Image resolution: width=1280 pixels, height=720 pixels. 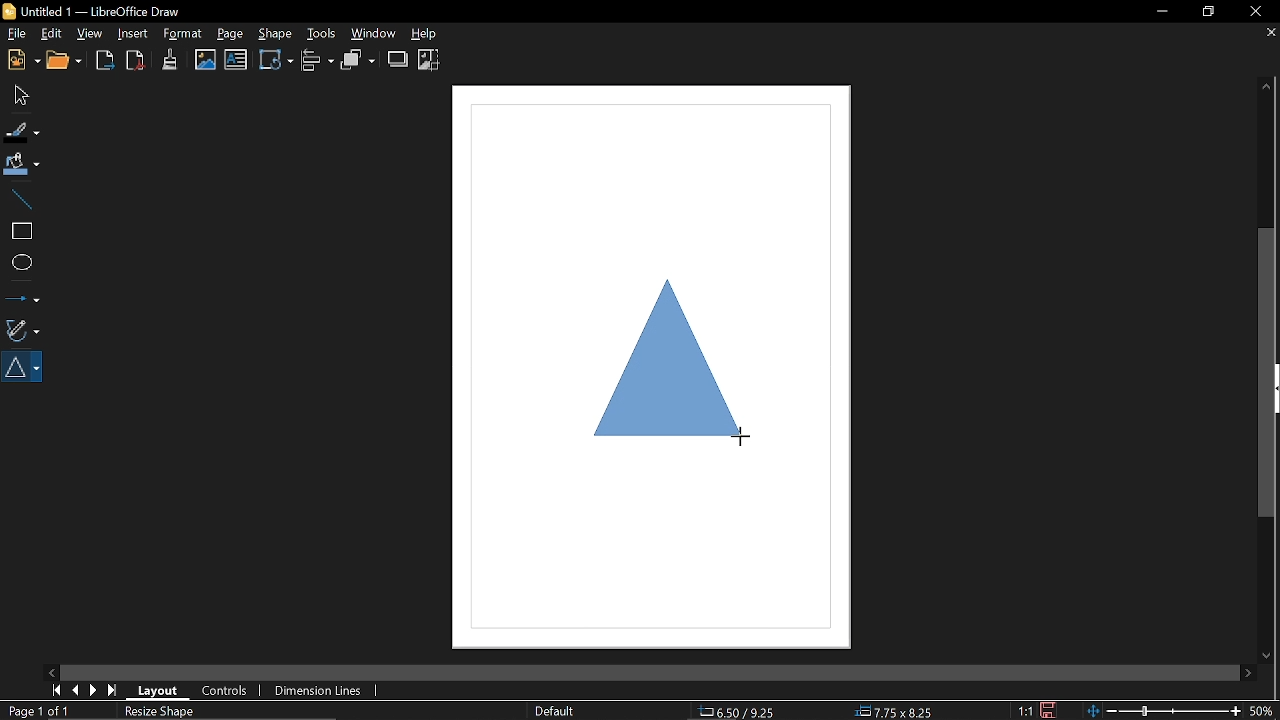 I want to click on Minimize, so click(x=1156, y=13).